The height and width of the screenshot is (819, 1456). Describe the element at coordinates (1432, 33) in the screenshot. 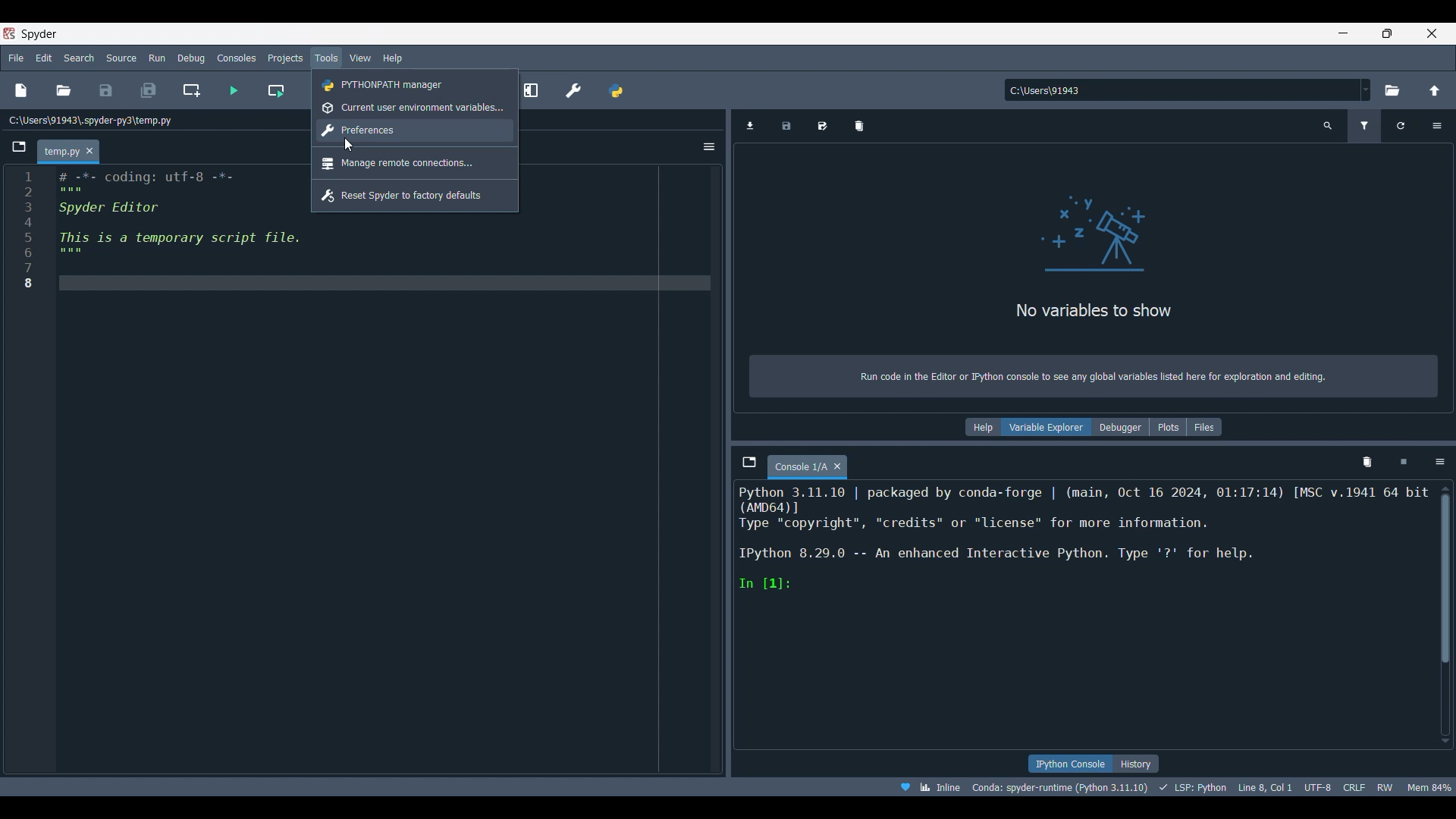

I see `Close software` at that location.